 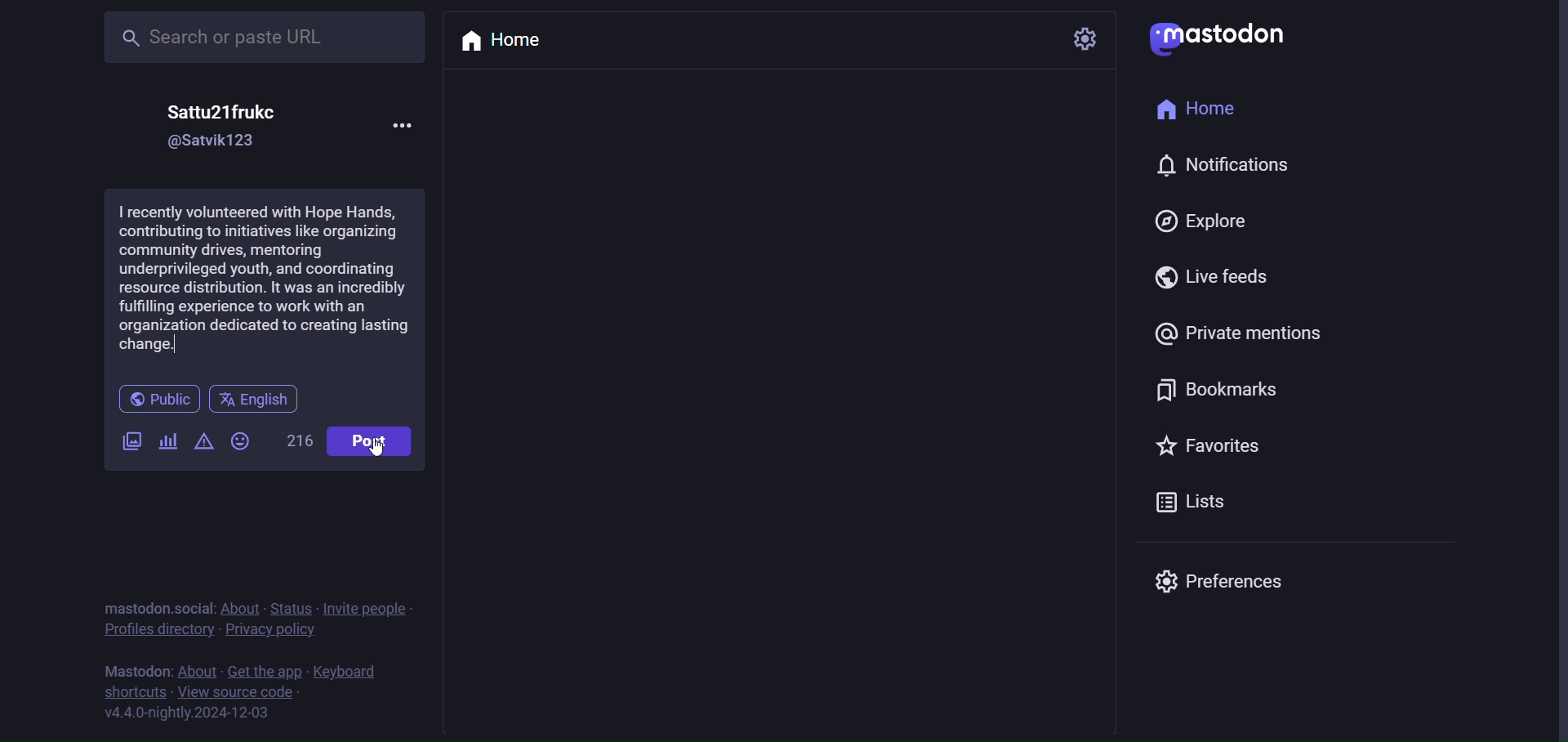 What do you see at coordinates (200, 715) in the screenshot?
I see `version` at bounding box center [200, 715].